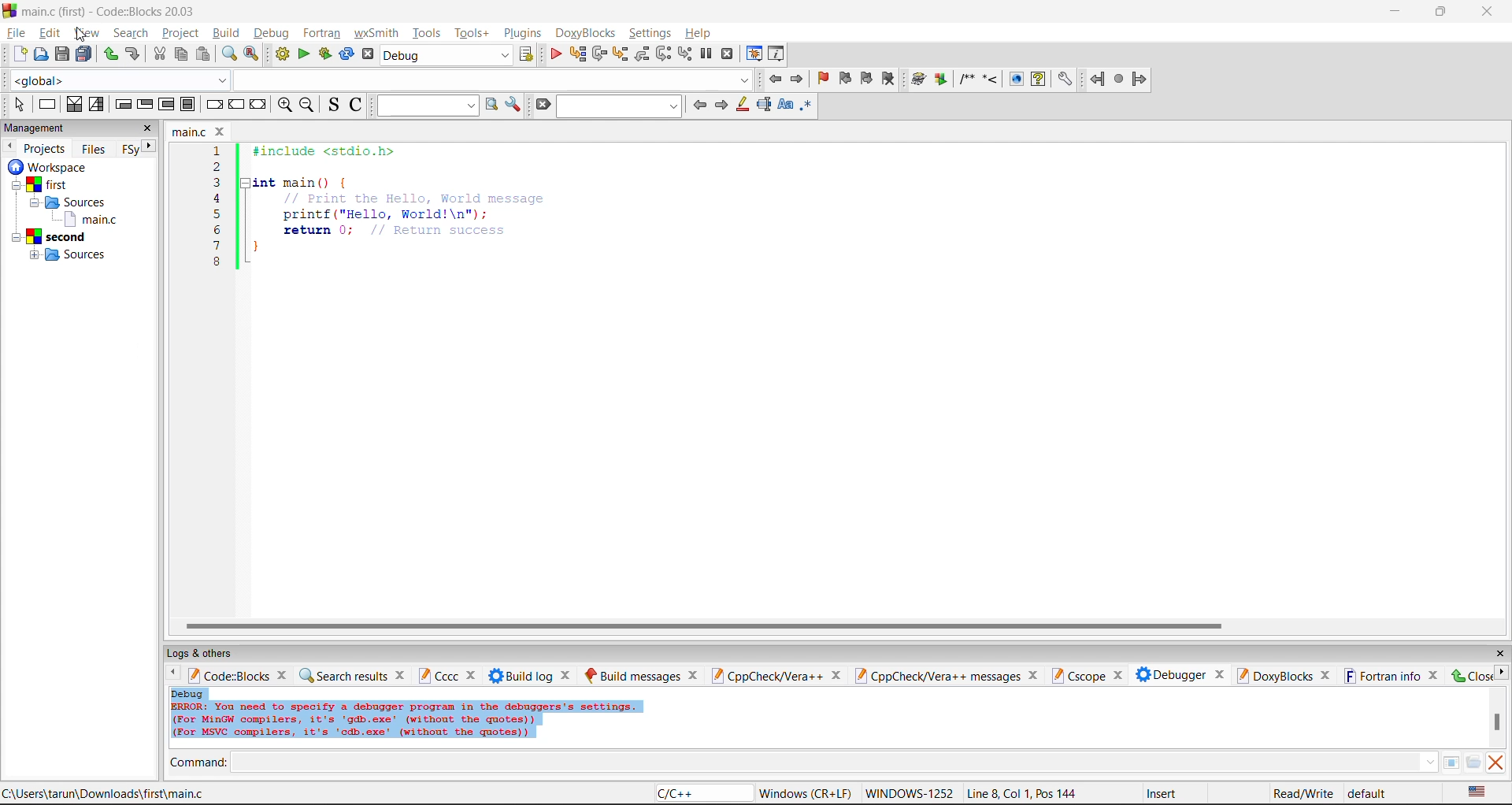 This screenshot has width=1512, height=805. Describe the element at coordinates (283, 105) in the screenshot. I see `zoom in` at that location.